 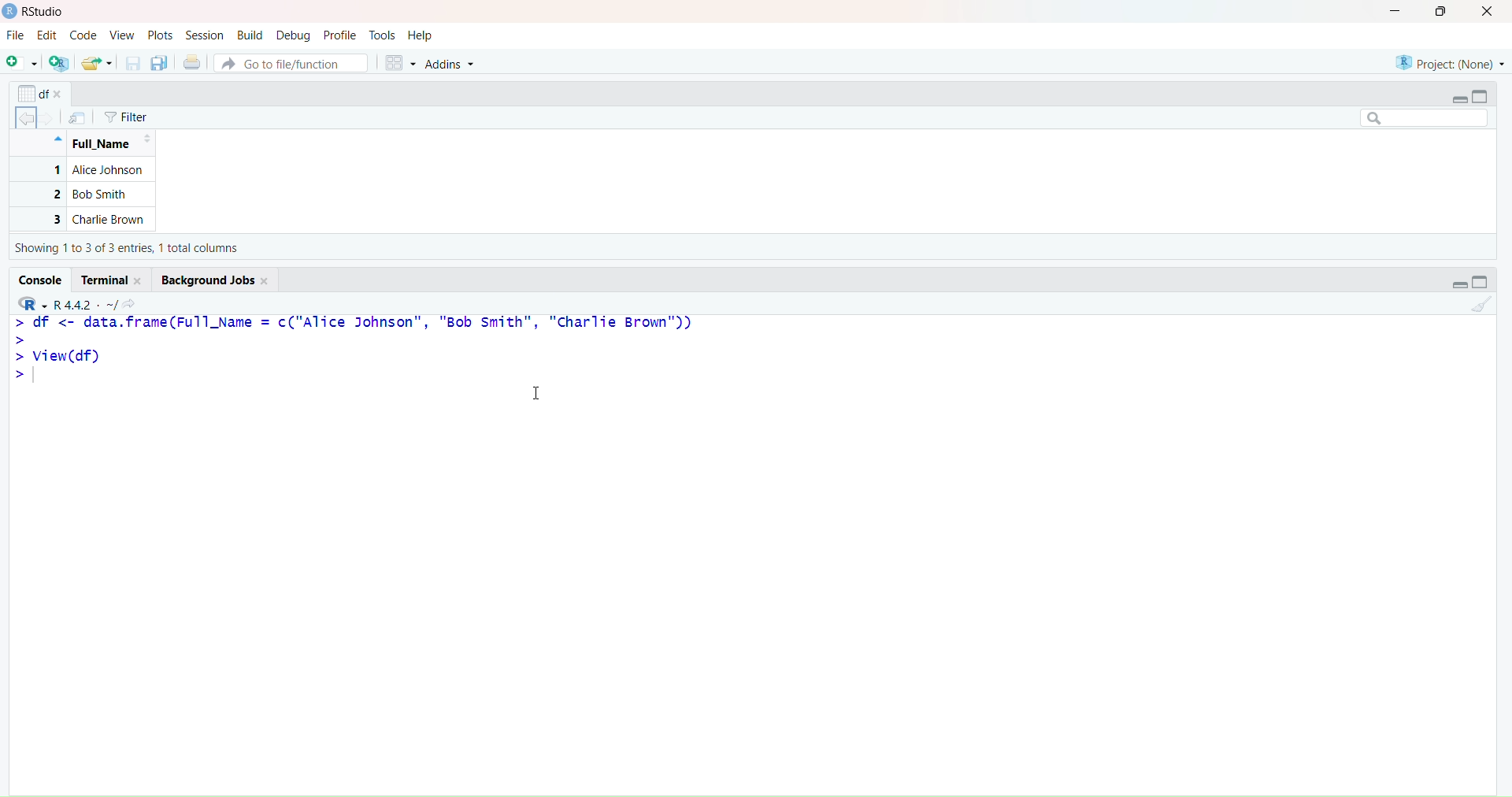 I want to click on Background Jobs, so click(x=216, y=279).